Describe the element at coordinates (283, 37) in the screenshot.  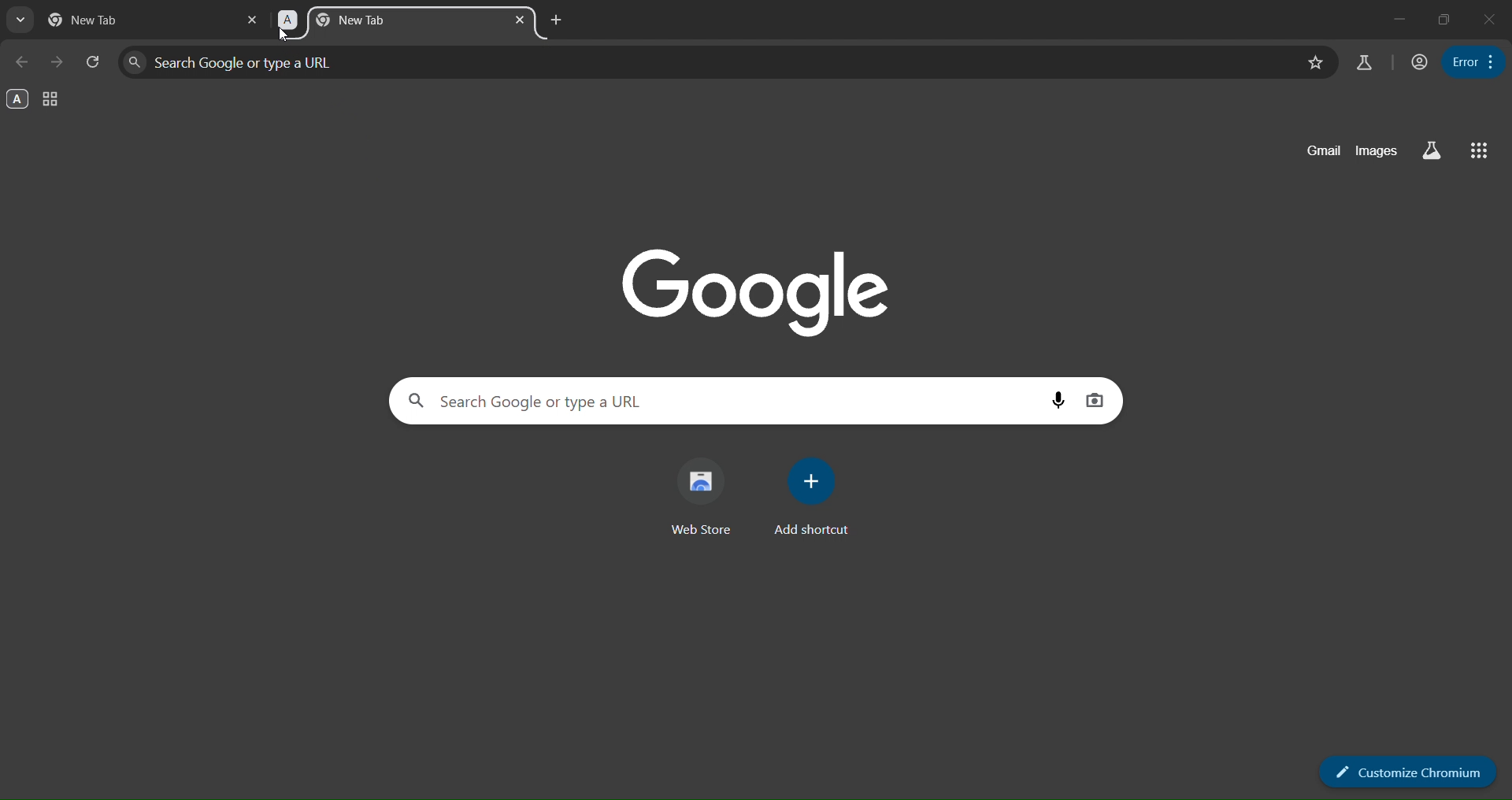
I see `cursor` at that location.